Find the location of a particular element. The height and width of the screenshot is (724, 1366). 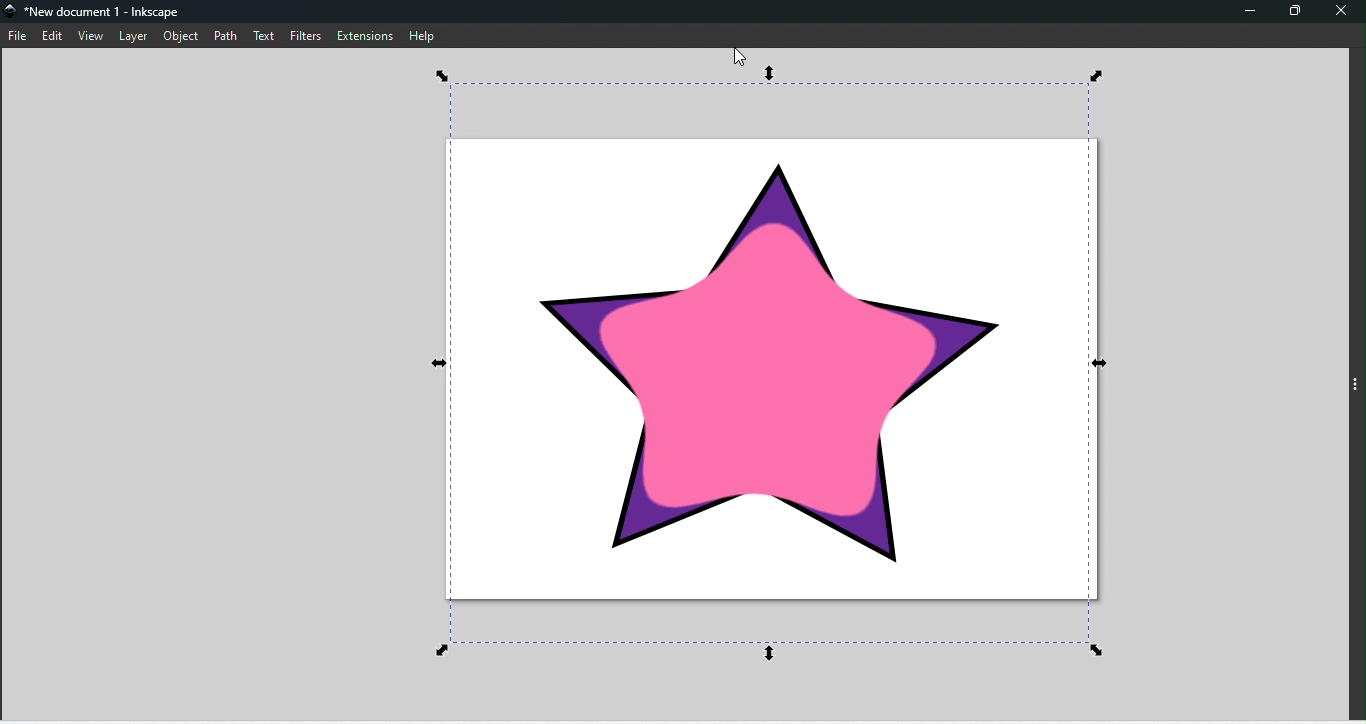

View is located at coordinates (94, 36).